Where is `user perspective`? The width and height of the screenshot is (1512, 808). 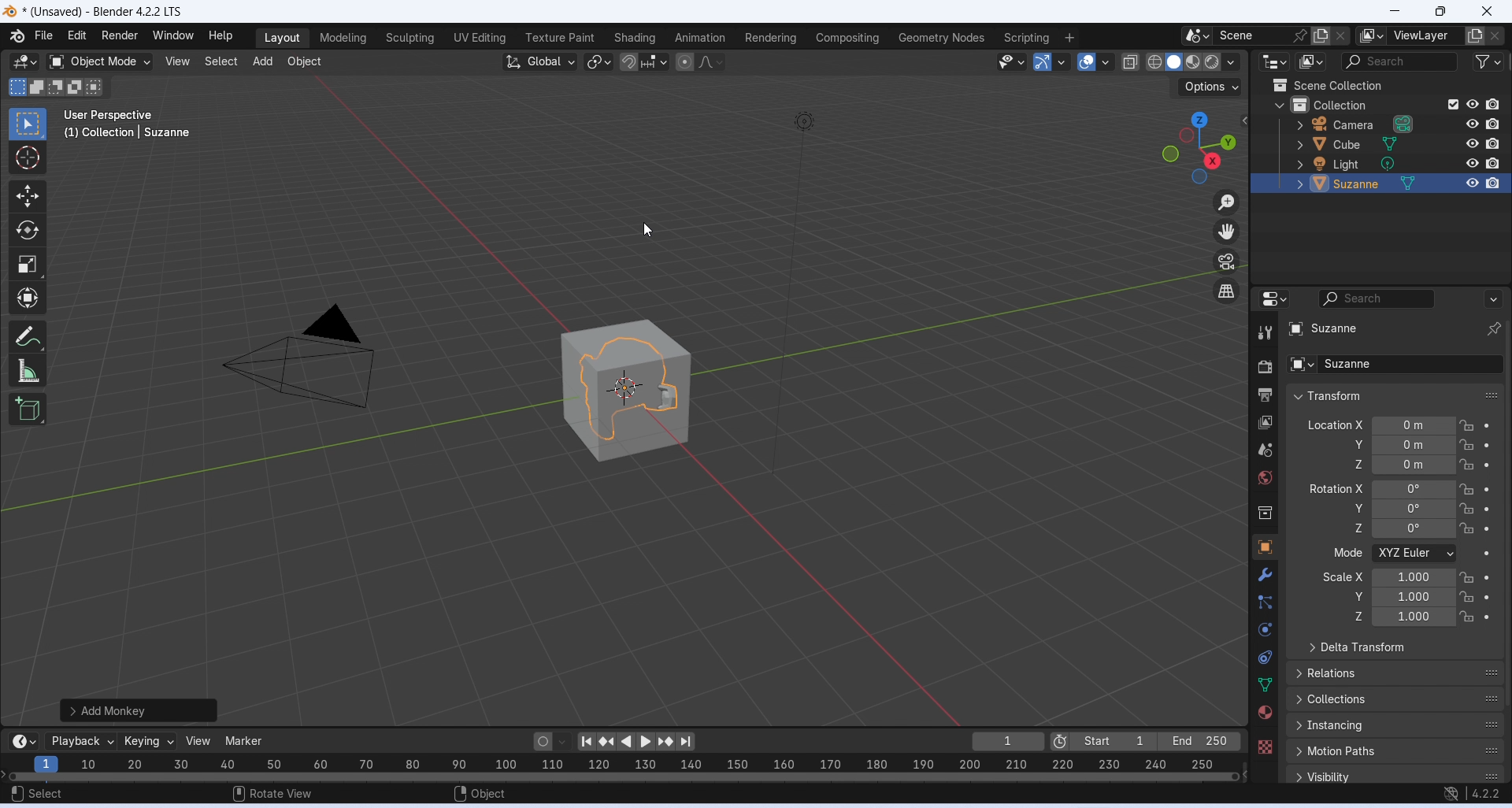
user perspective is located at coordinates (111, 114).